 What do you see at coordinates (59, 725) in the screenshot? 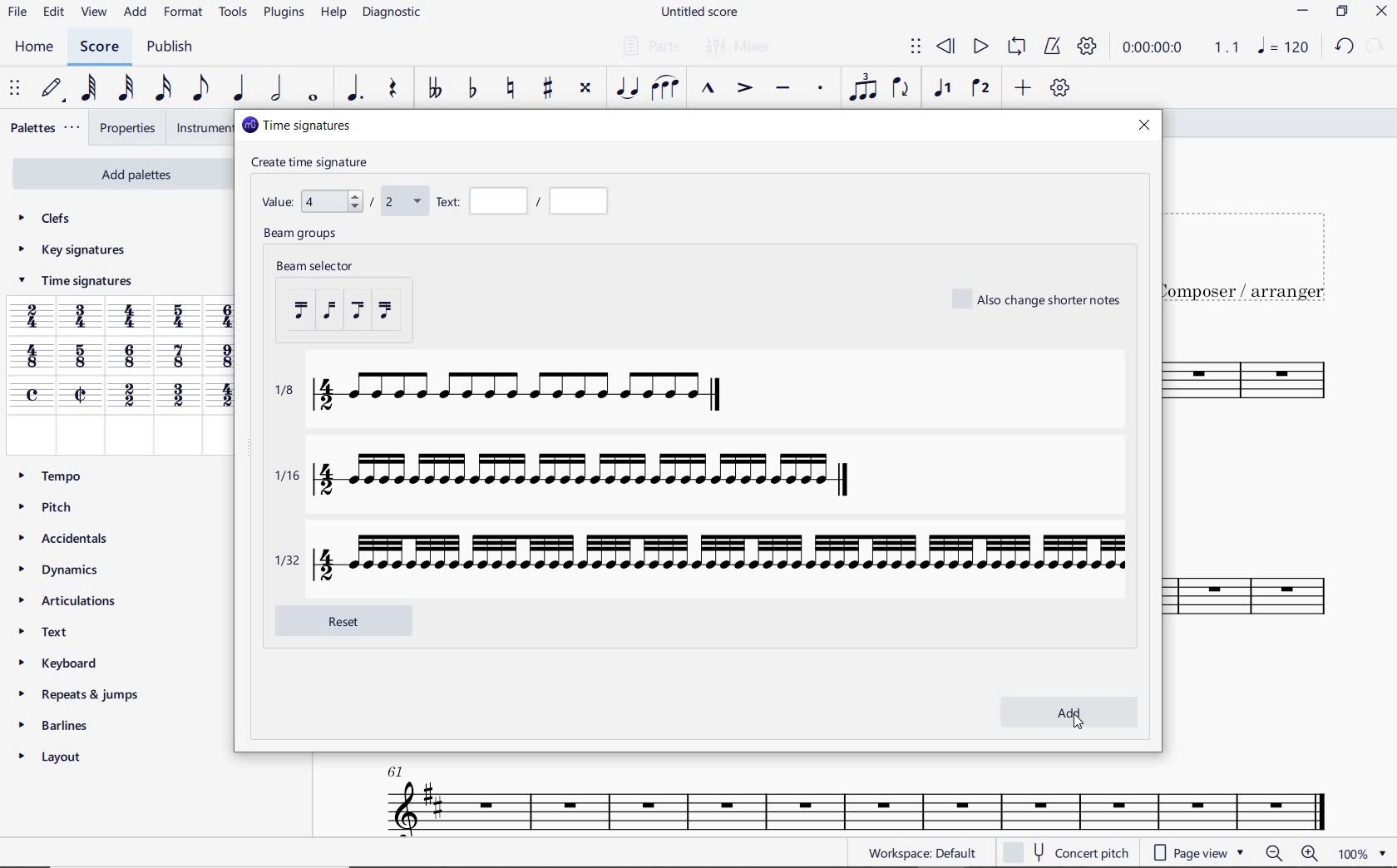
I see `BARLINES` at bounding box center [59, 725].